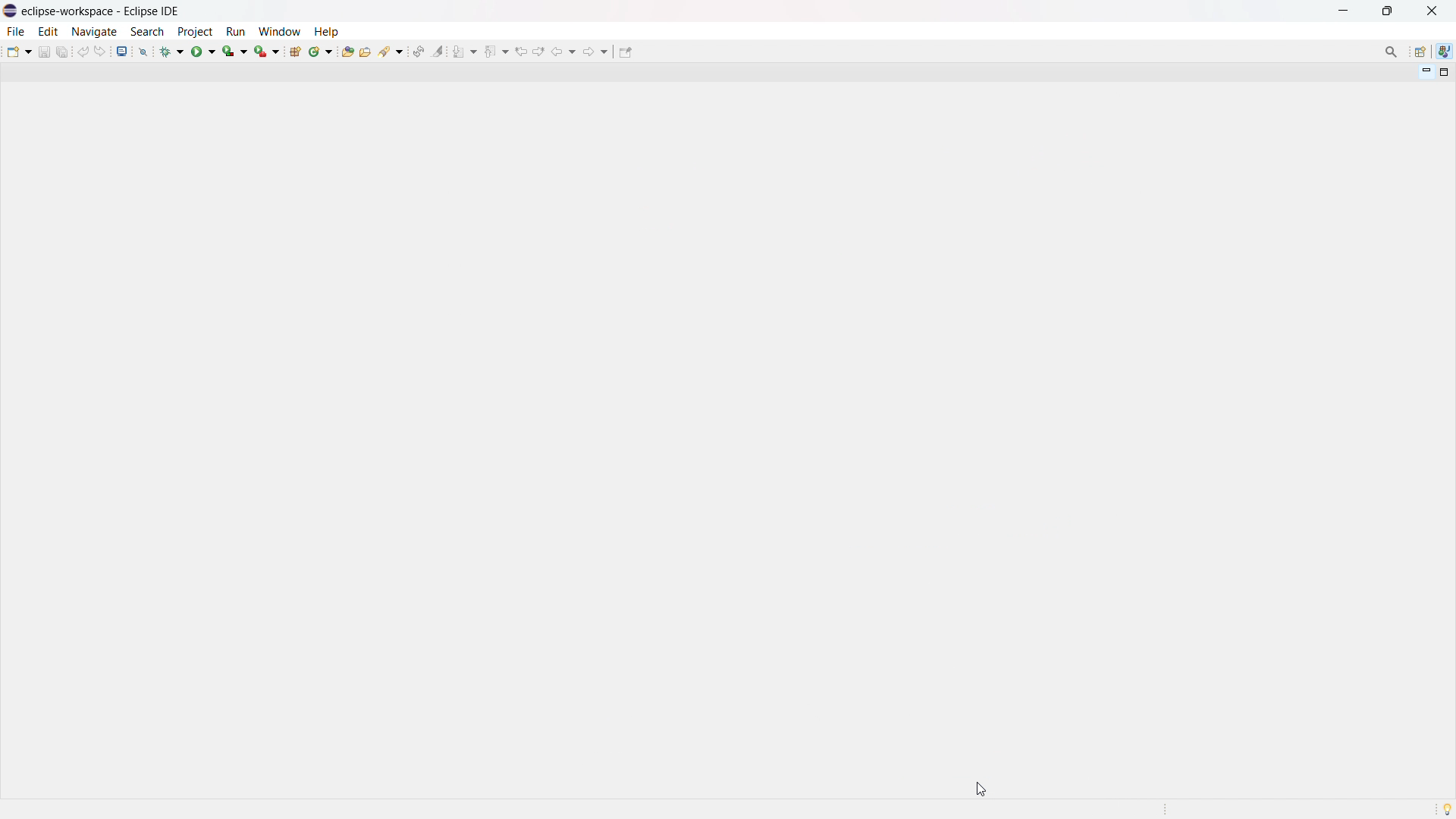 The width and height of the screenshot is (1456, 819). I want to click on undo, so click(83, 52).